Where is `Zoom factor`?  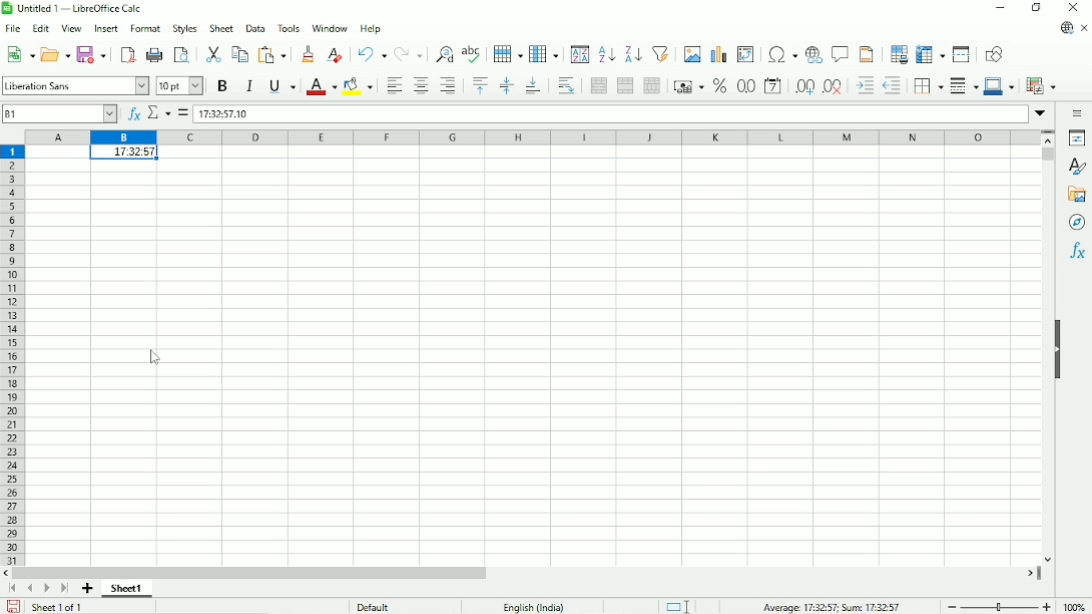
Zoom factor is located at coordinates (1075, 607).